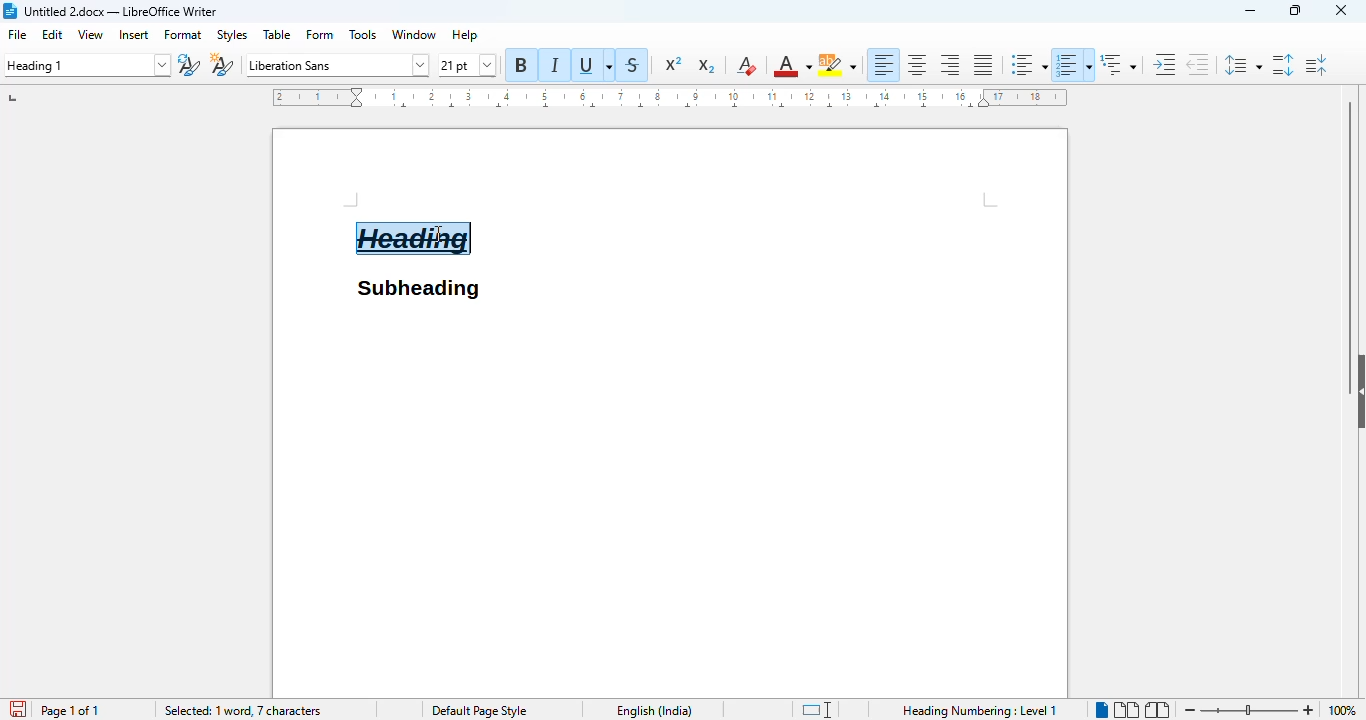 This screenshot has height=720, width=1366. Describe the element at coordinates (414, 239) in the screenshot. I see `hotkey (Ctrl+M) on selected text` at that location.